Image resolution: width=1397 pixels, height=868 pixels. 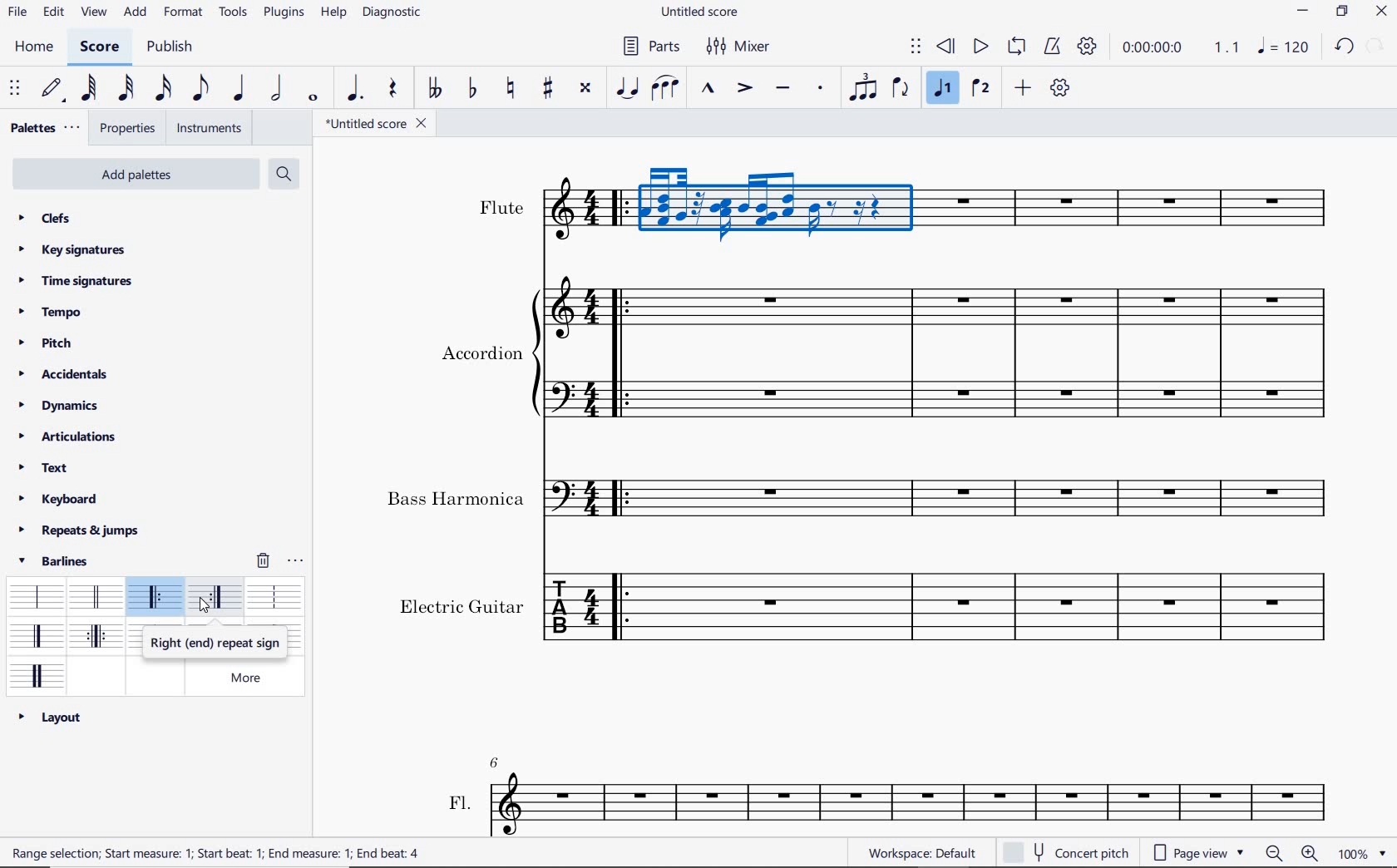 I want to click on slur, so click(x=665, y=89).